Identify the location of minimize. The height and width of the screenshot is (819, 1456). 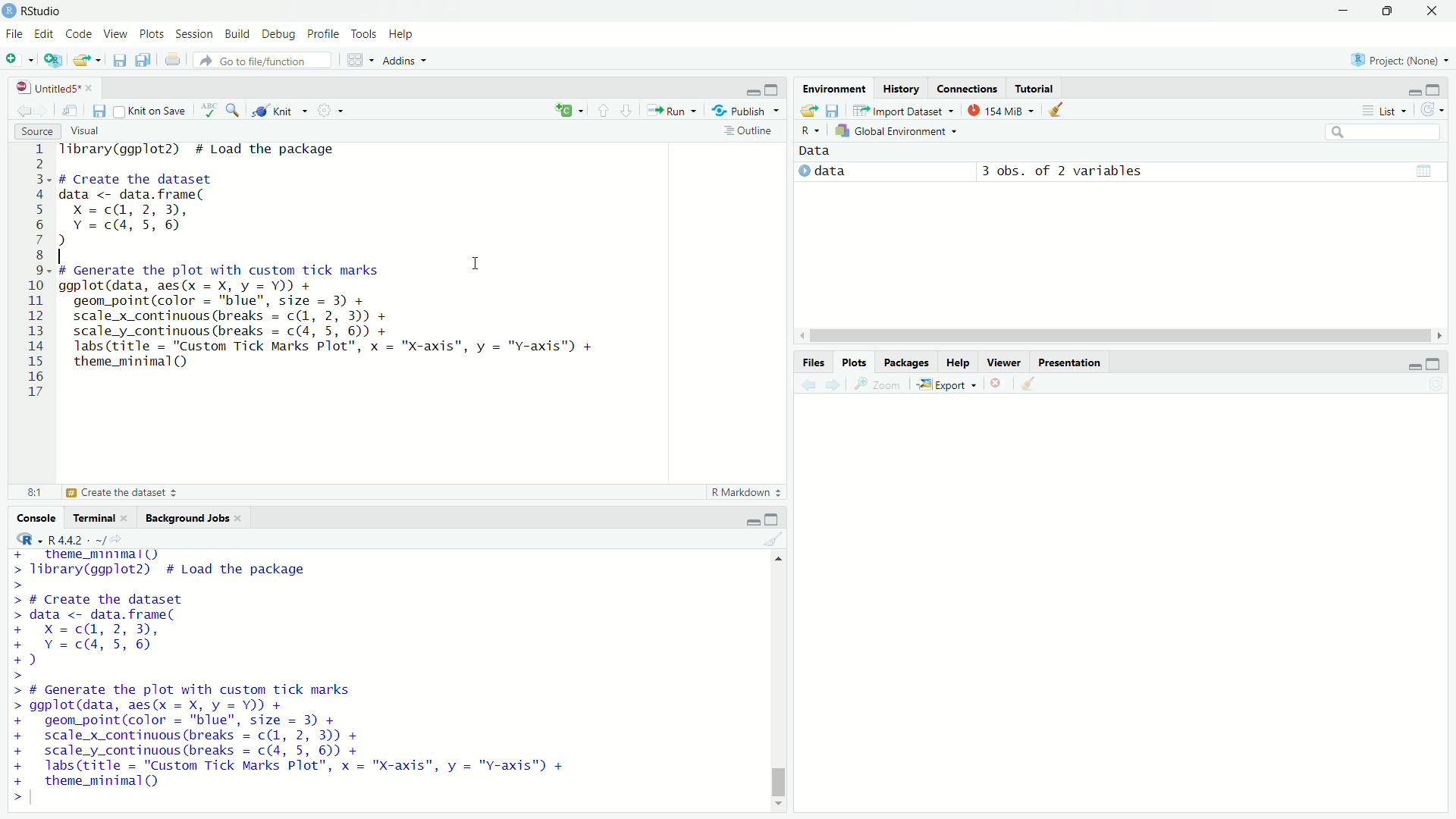
(1340, 11).